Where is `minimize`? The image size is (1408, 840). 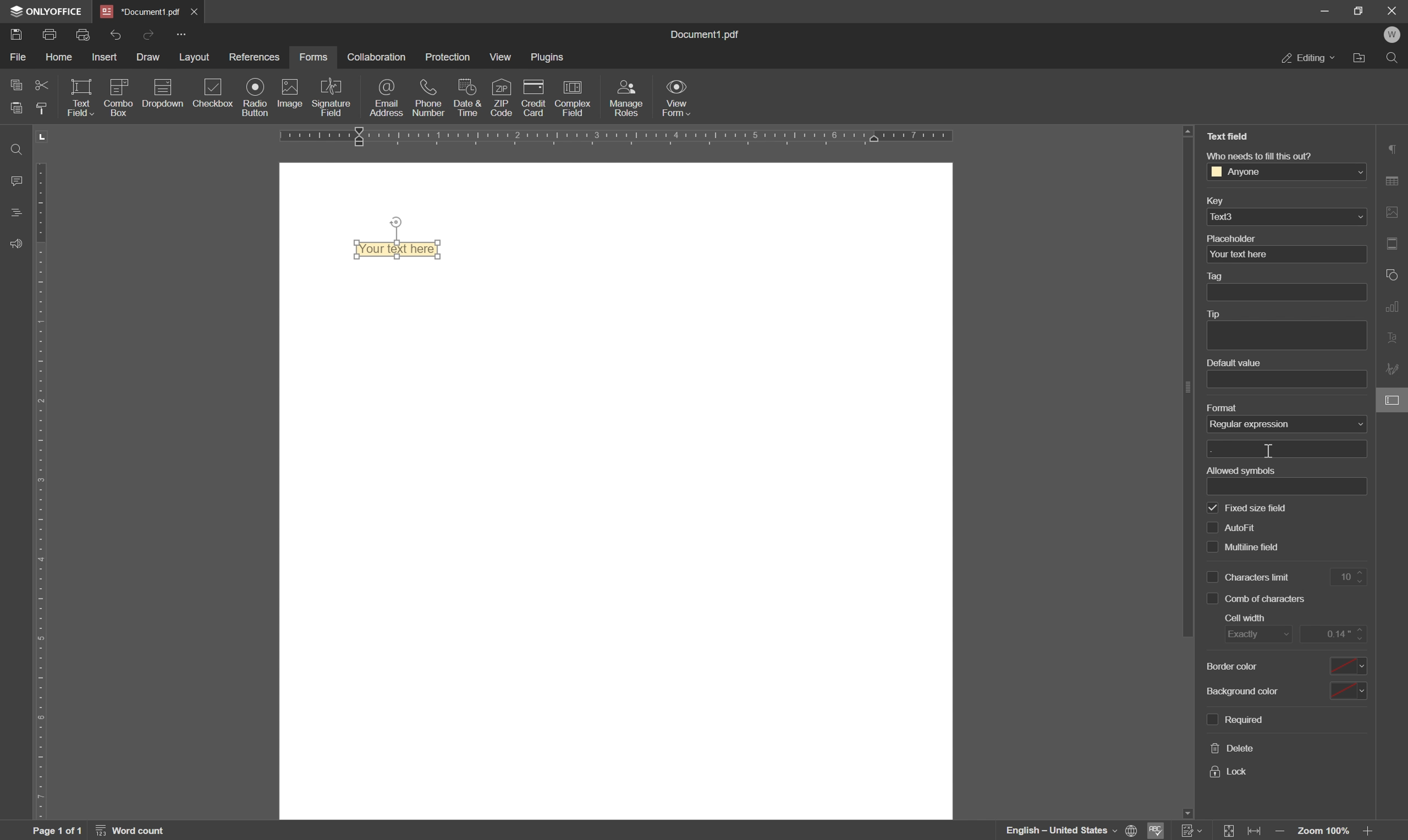 minimize is located at coordinates (1325, 12).